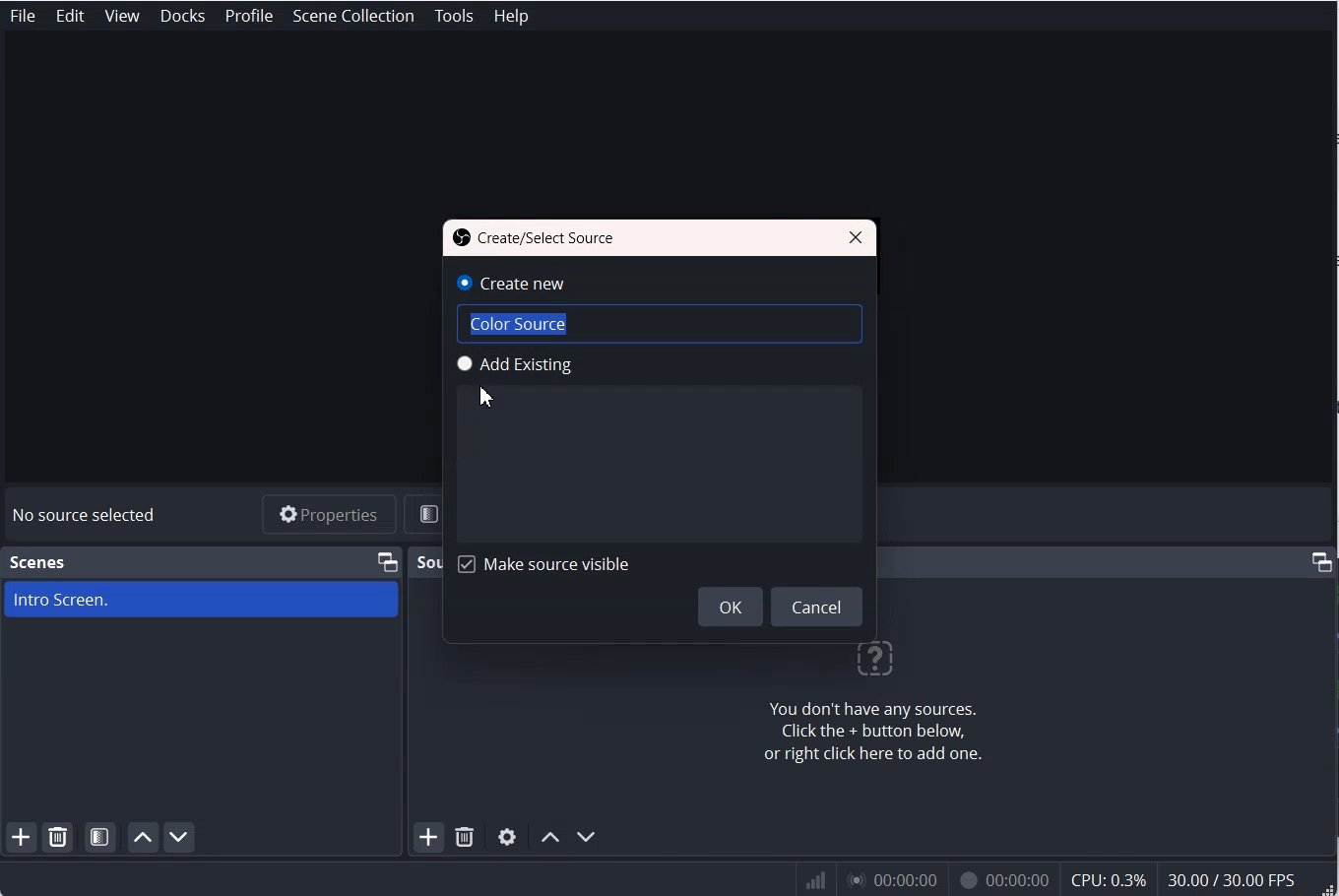 The image size is (1339, 896). I want to click on Color source, so click(603, 324).